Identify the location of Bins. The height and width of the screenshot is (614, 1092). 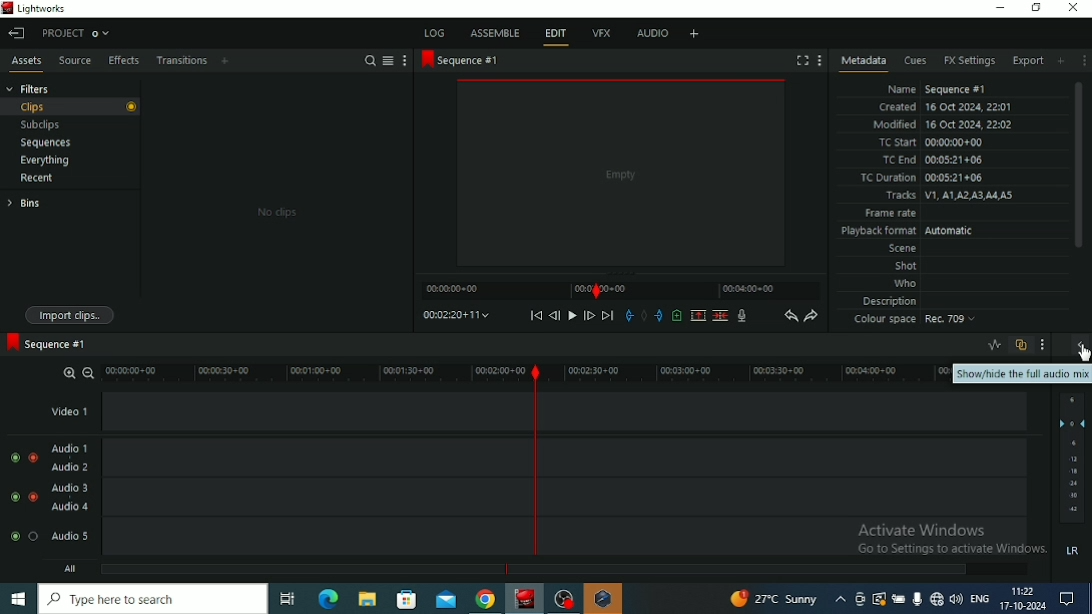
(24, 203).